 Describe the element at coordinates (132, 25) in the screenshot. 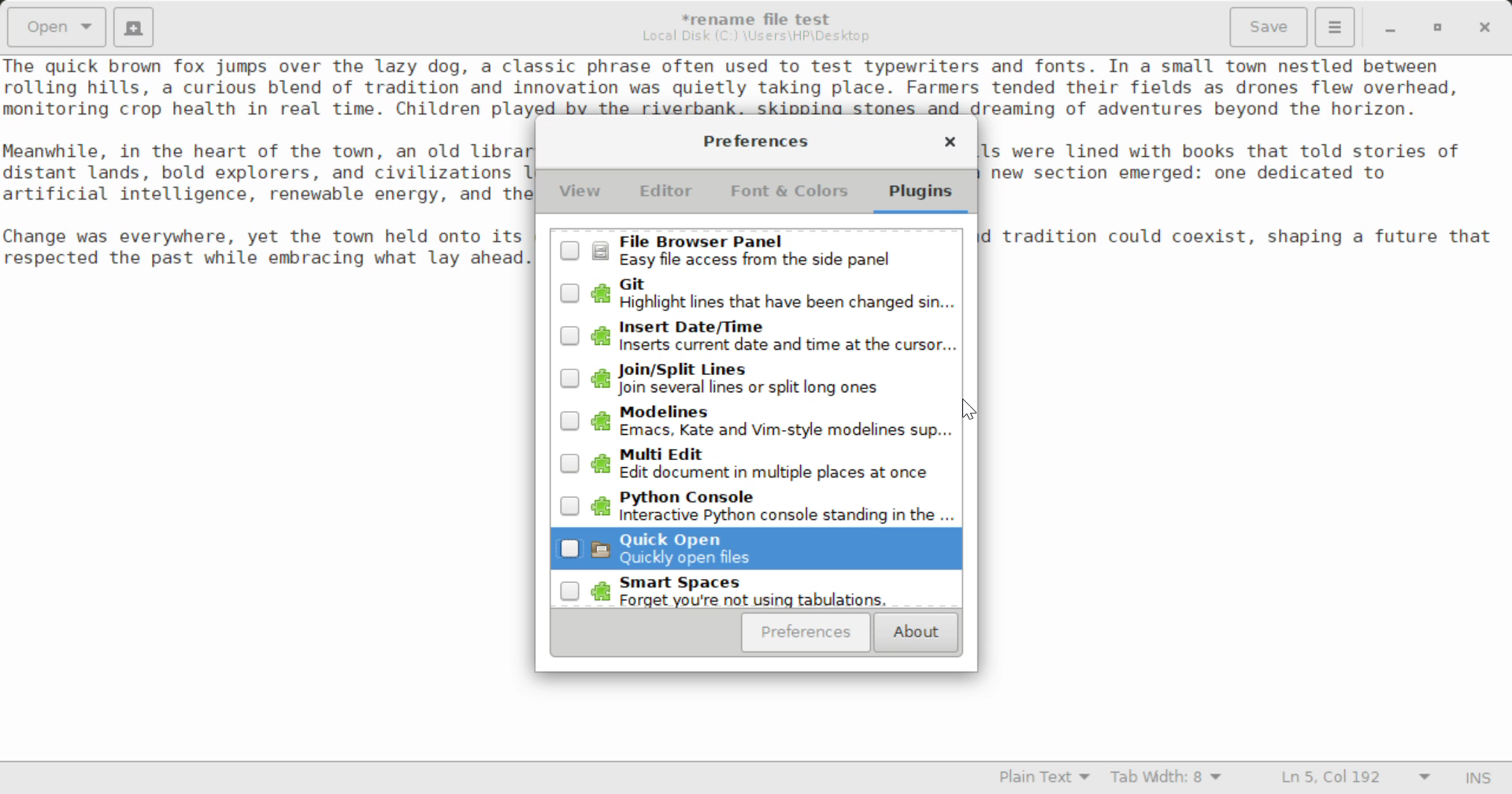

I see `Create New Document` at that location.